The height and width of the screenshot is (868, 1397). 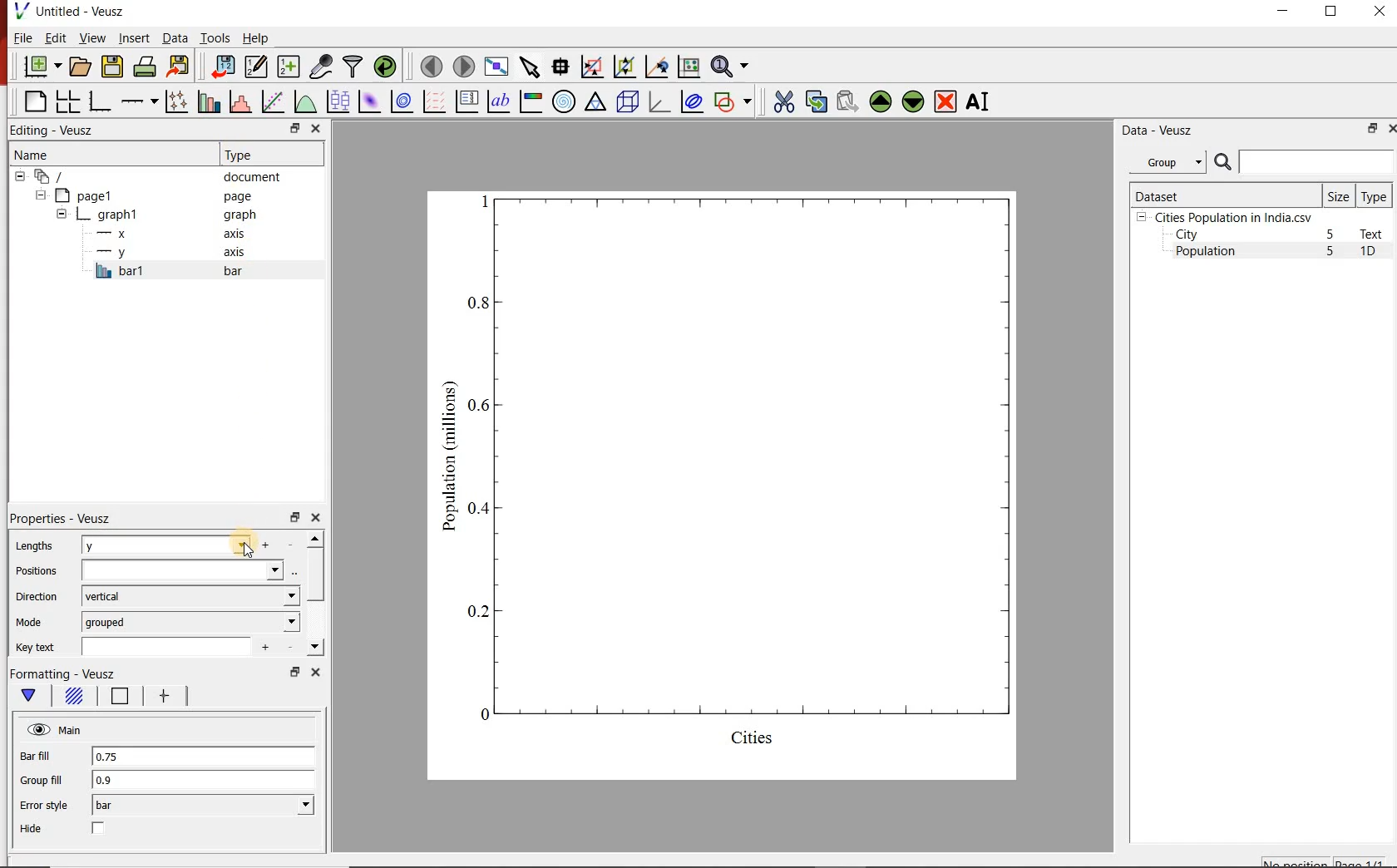 I want to click on Insert, so click(x=133, y=39).